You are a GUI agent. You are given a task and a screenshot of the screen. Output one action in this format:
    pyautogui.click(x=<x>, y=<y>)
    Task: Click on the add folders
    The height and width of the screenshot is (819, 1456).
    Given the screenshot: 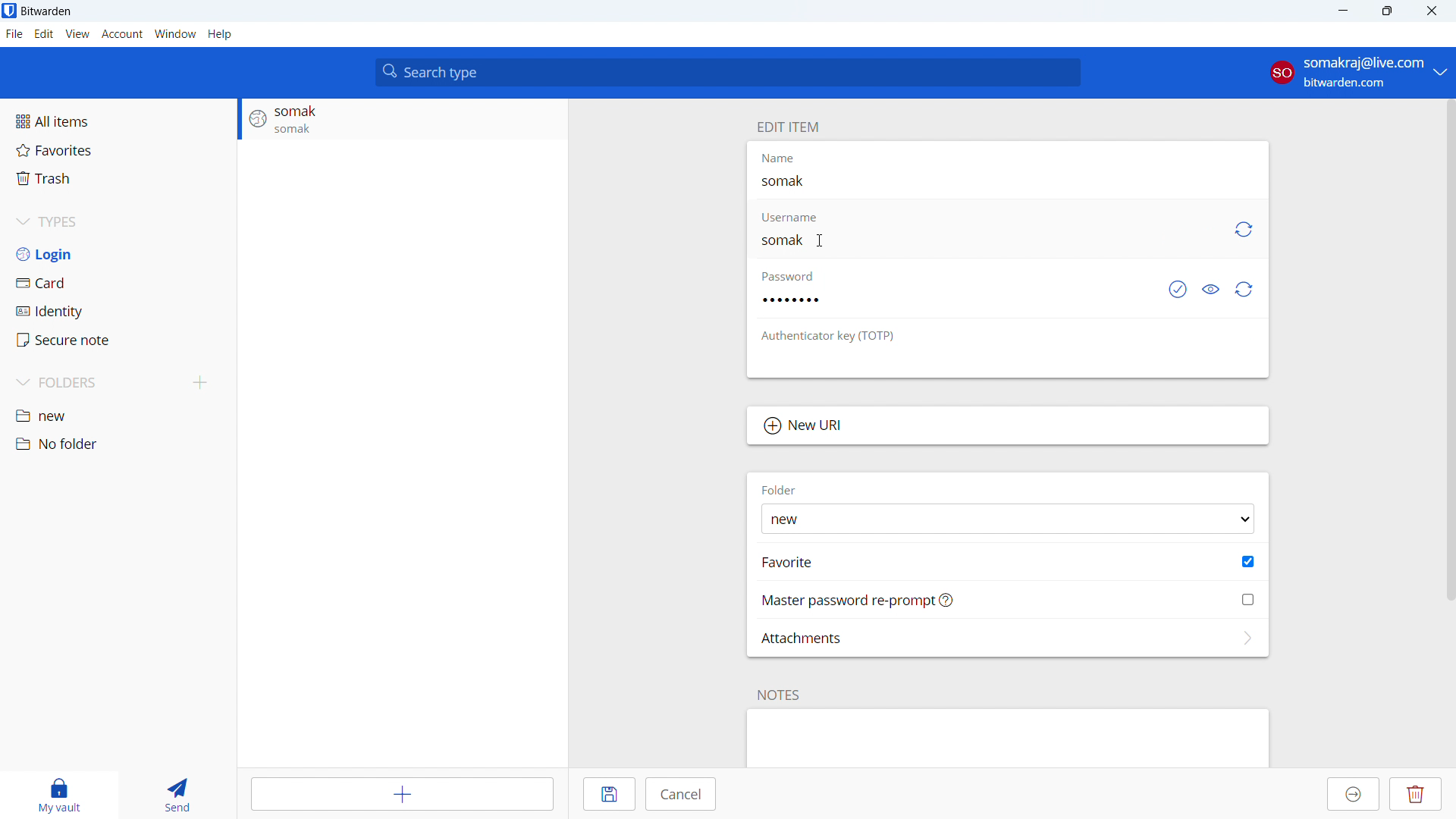 What is the action you would take?
    pyautogui.click(x=201, y=383)
    